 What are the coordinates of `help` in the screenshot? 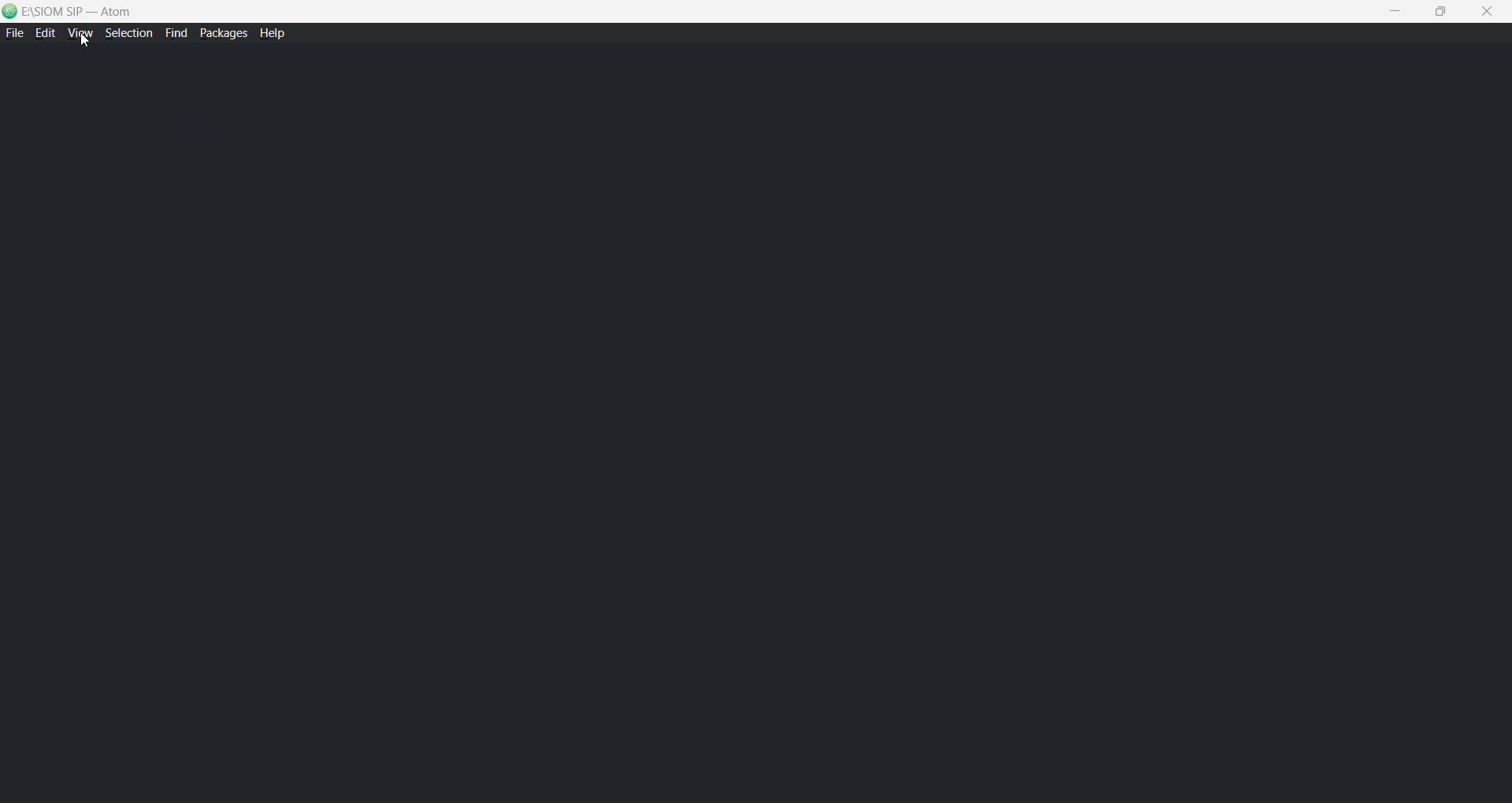 It's located at (277, 35).